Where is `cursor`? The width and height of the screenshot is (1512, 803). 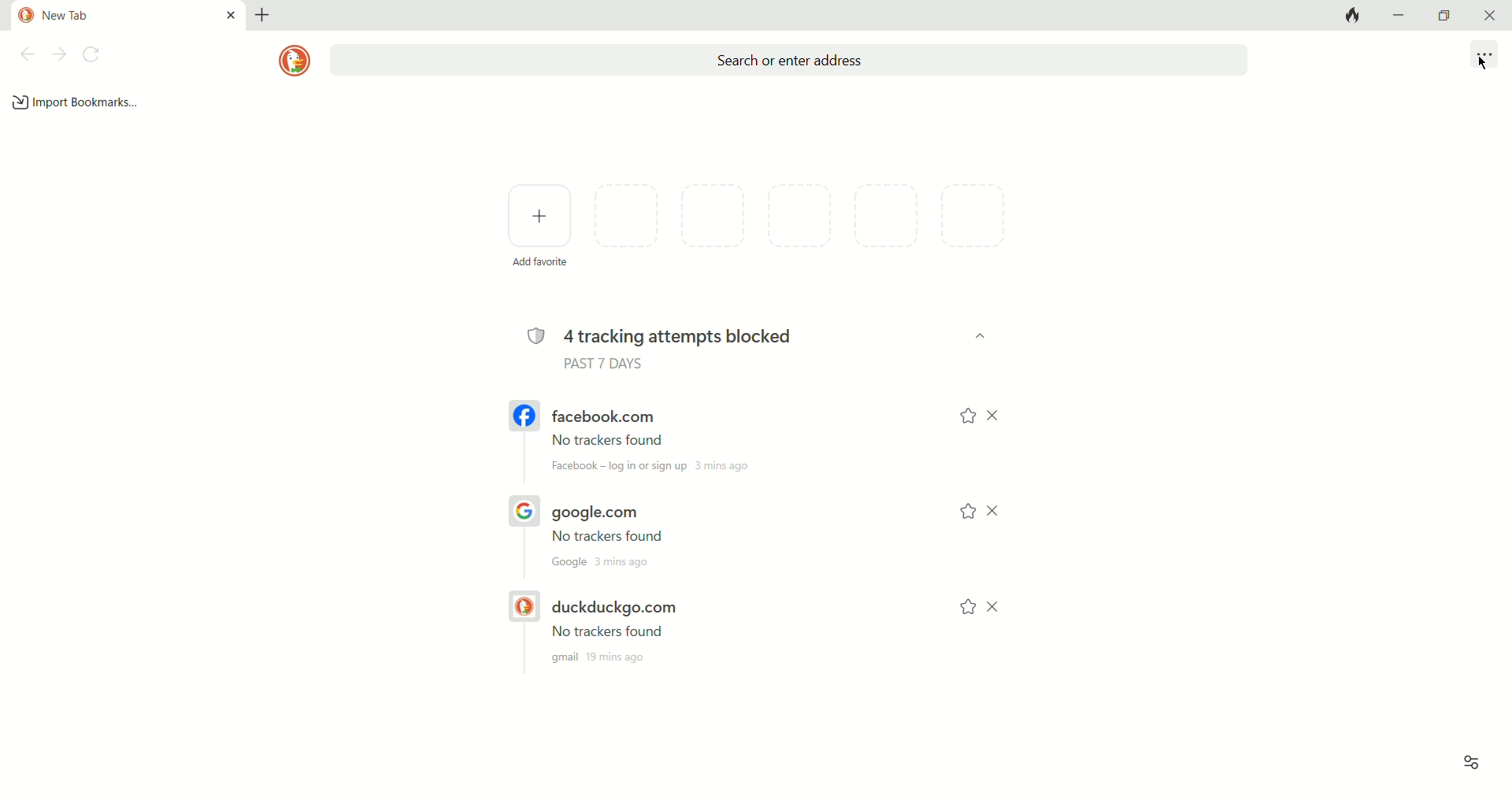
cursor is located at coordinates (1486, 60).